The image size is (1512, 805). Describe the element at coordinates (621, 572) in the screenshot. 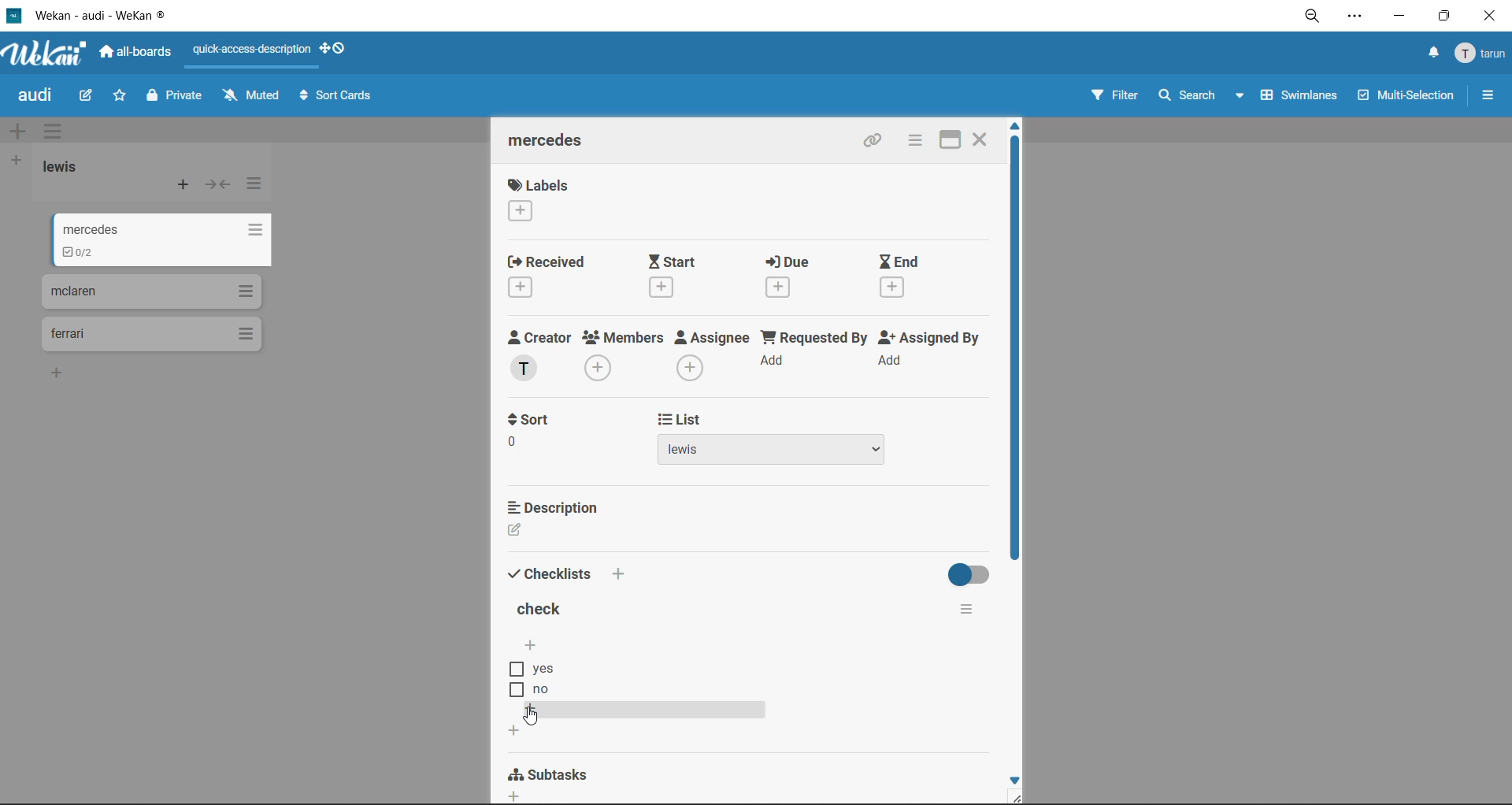

I see `Add` at that location.